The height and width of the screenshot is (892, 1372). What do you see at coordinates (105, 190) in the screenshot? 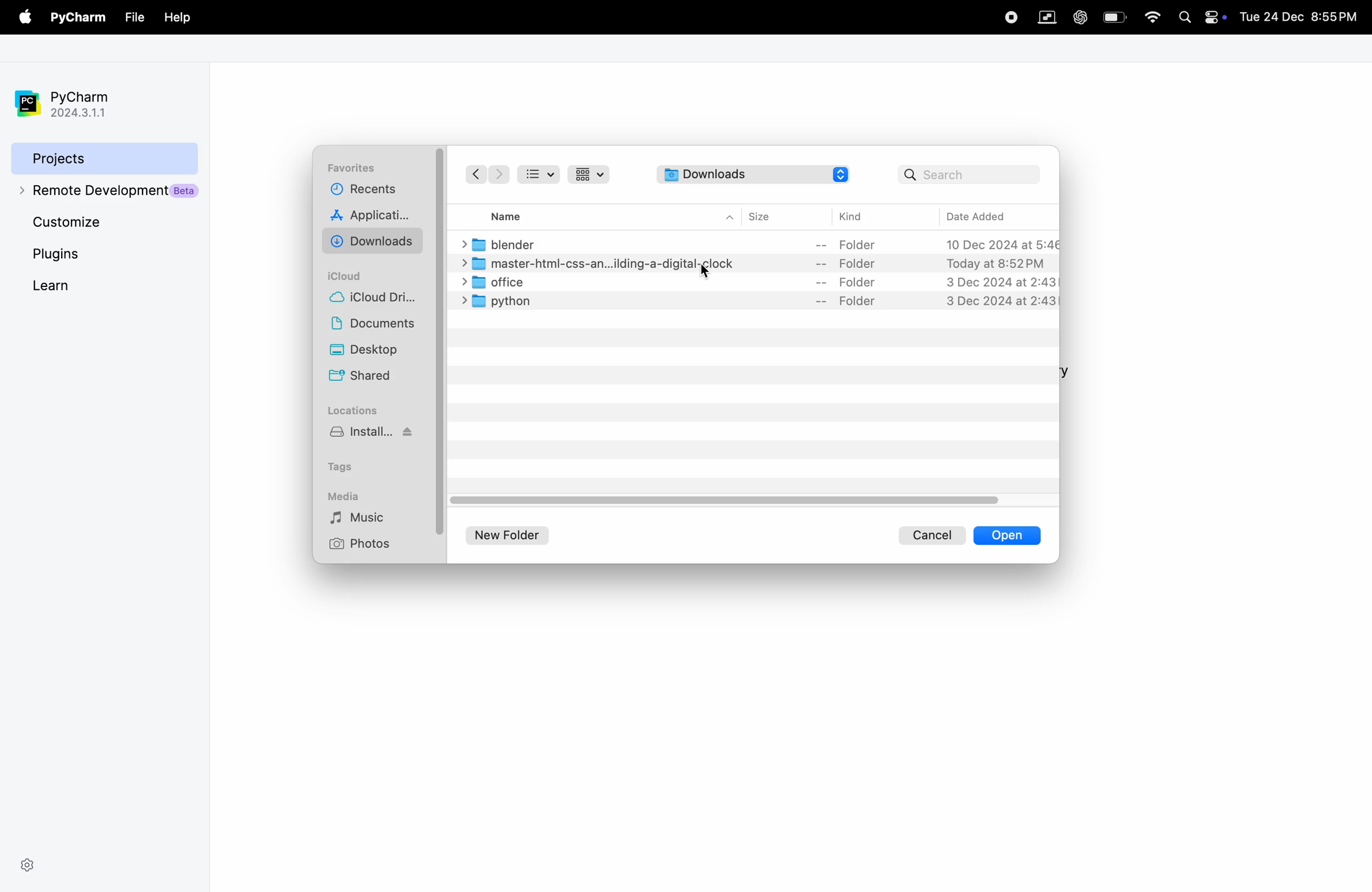
I see `remote development` at bounding box center [105, 190].